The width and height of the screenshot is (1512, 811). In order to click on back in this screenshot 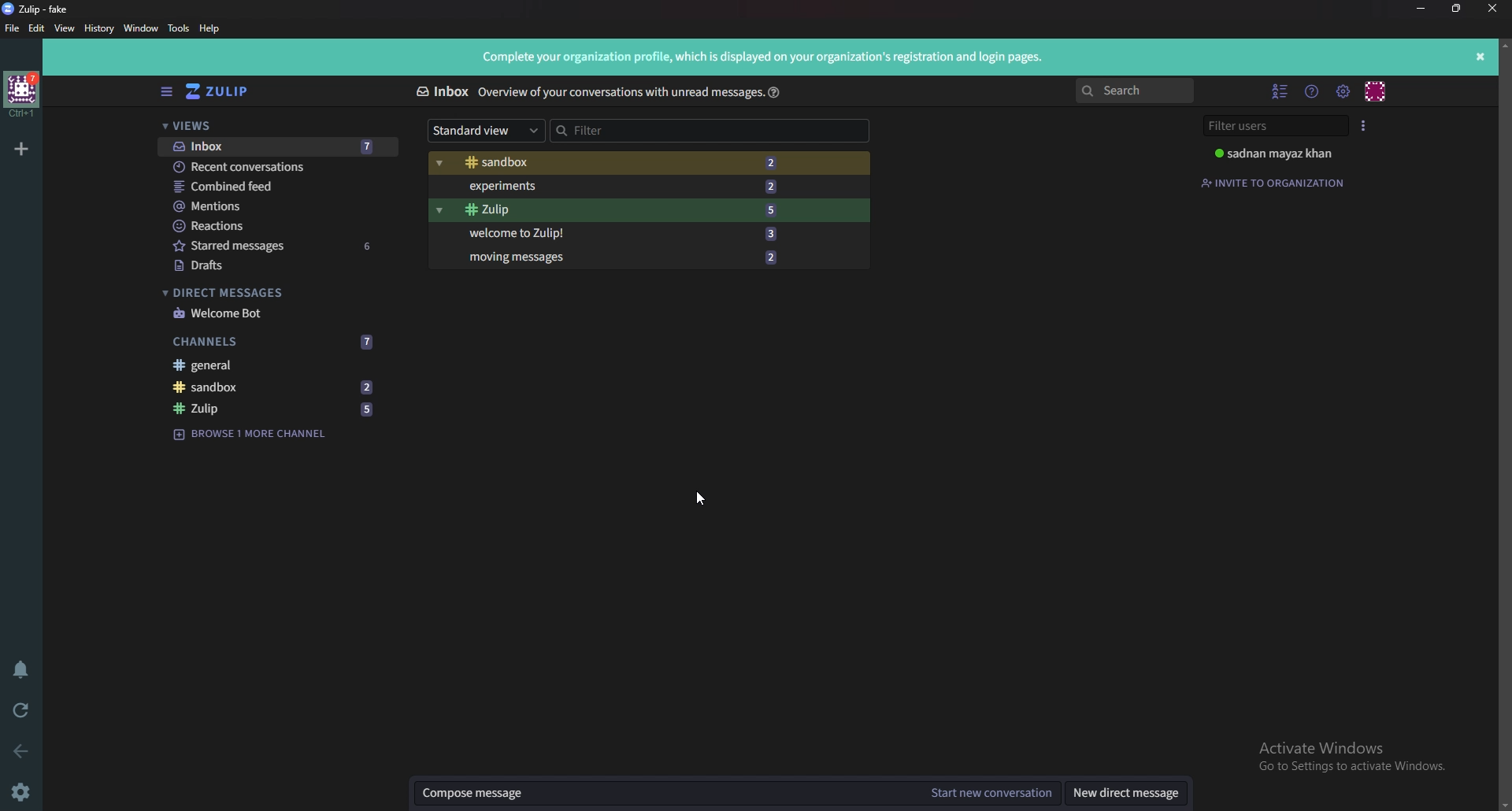, I will do `click(21, 749)`.